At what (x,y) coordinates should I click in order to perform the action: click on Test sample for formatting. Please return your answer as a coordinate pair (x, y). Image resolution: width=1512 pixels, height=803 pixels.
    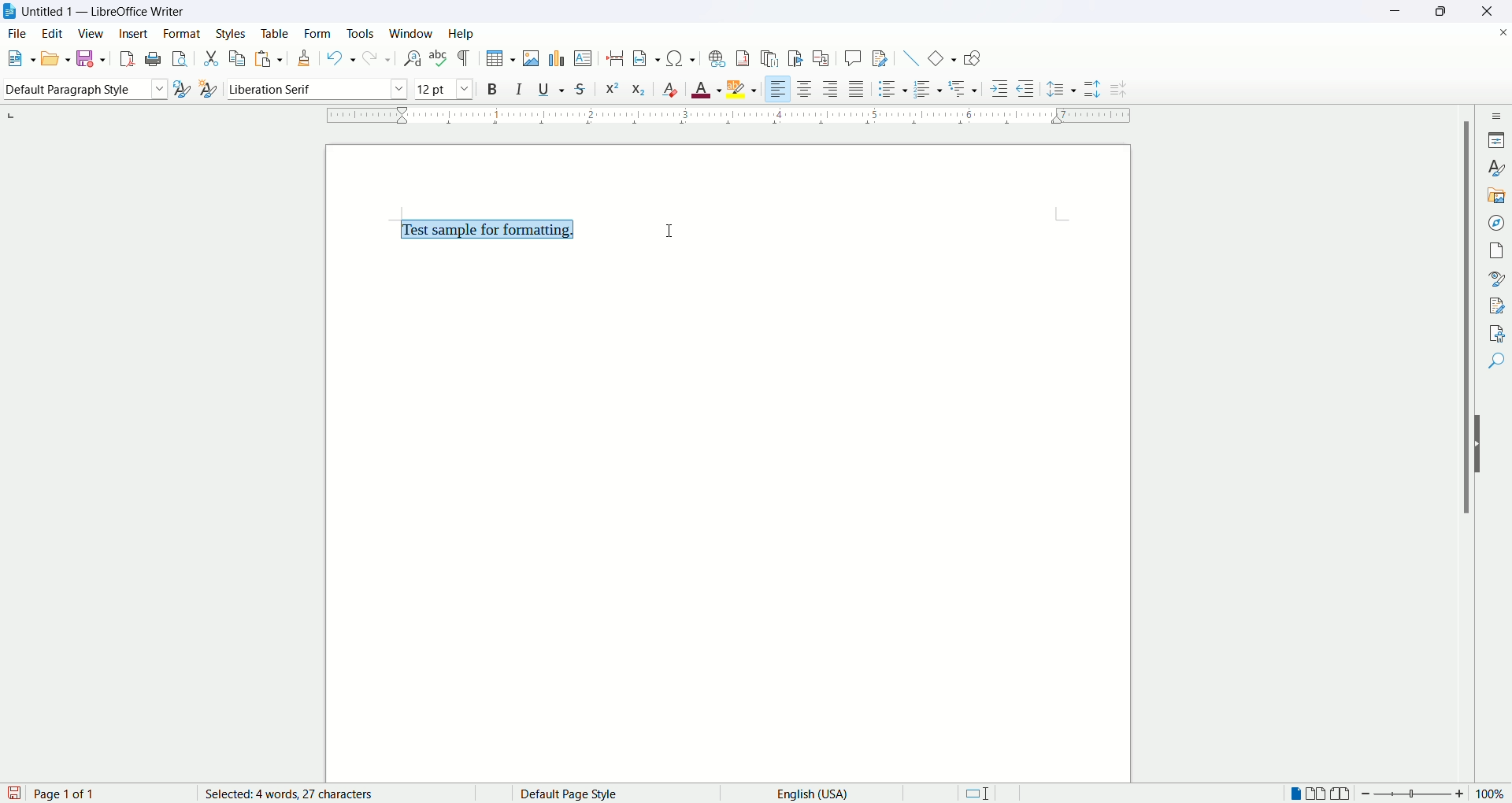
    Looking at the image, I should click on (487, 230).